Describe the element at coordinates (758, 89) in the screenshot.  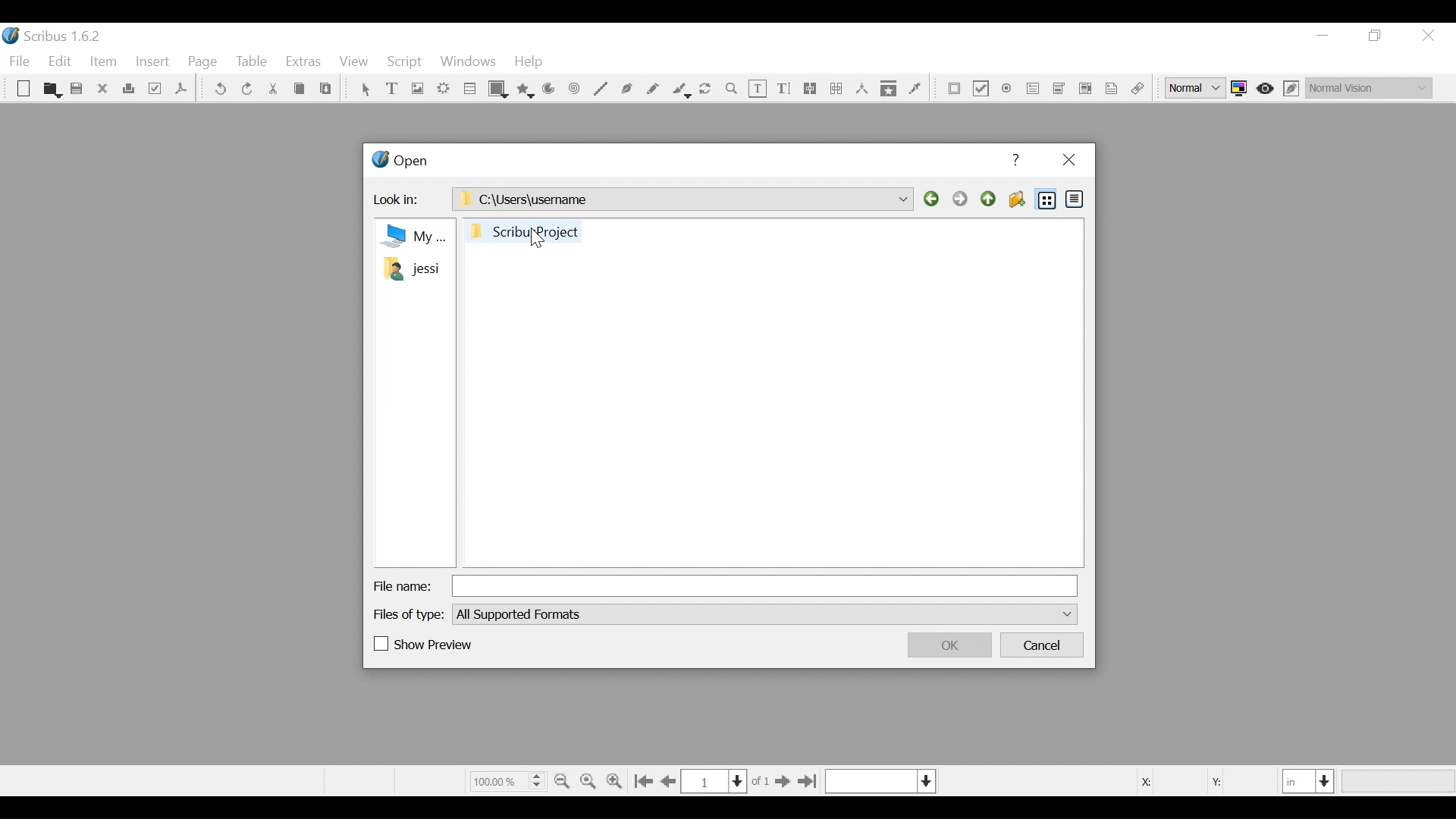
I see `Edit Text Content` at that location.